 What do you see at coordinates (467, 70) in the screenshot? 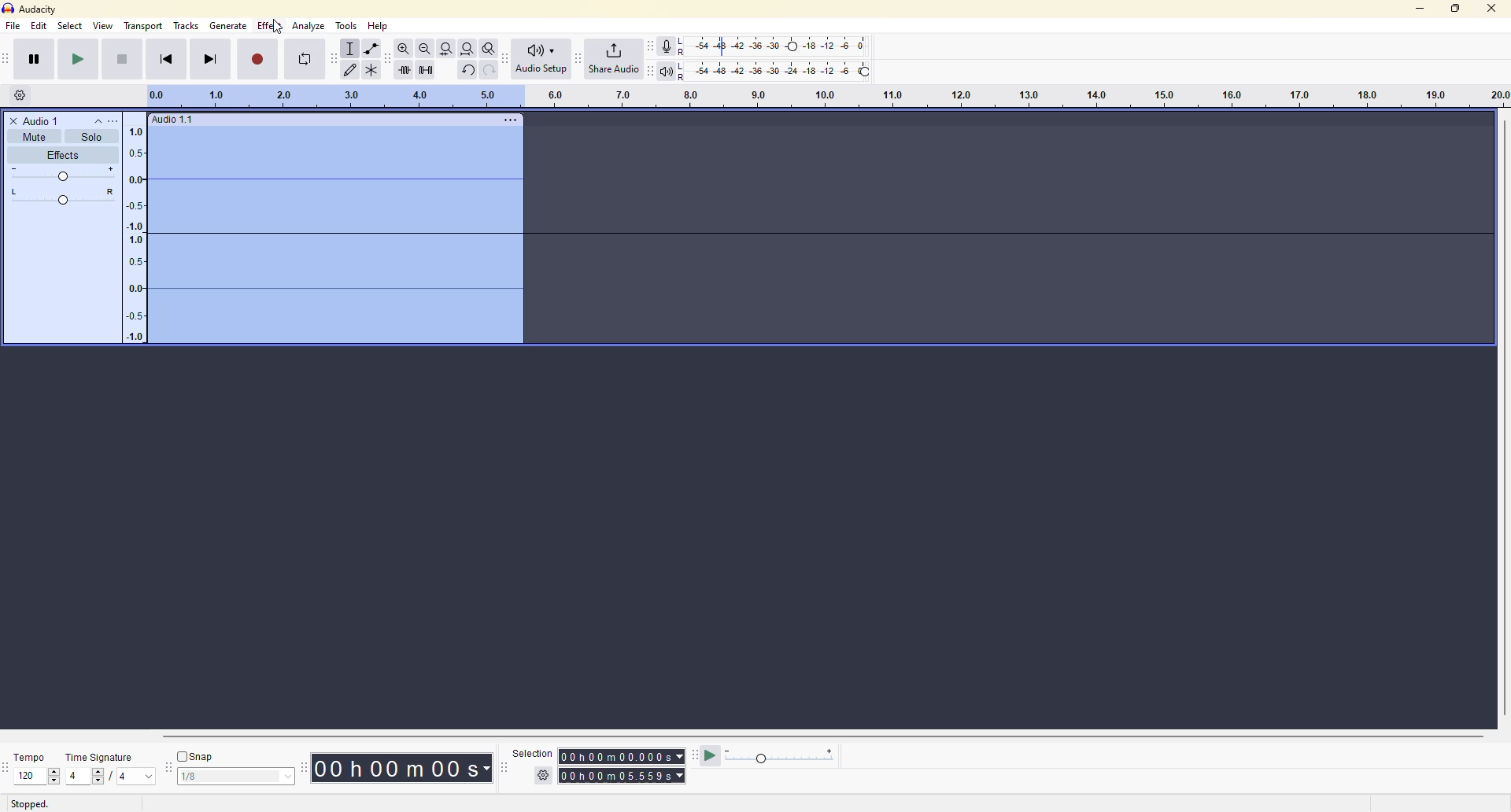
I see `undo` at bounding box center [467, 70].